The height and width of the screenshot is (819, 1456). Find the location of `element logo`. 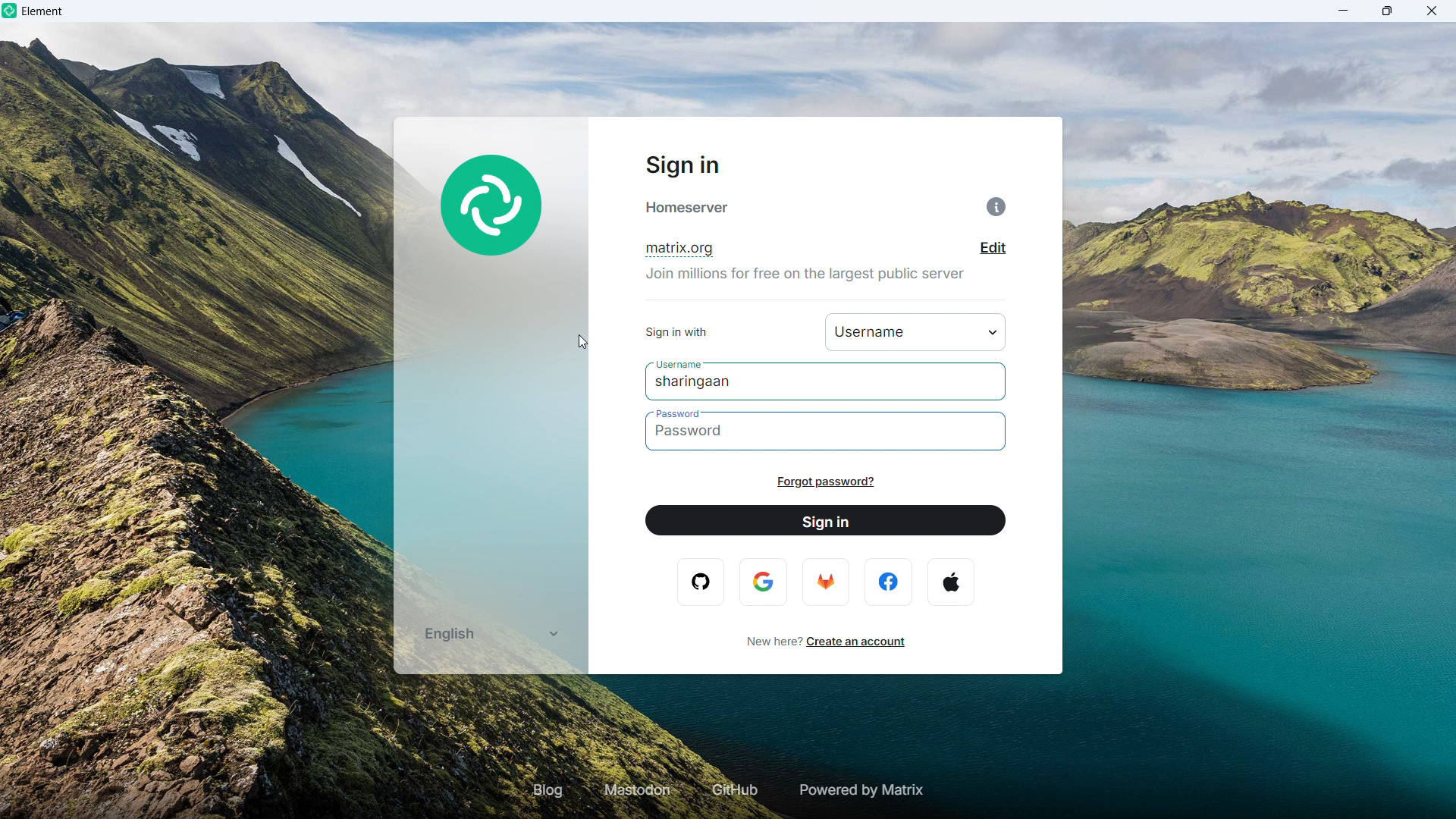

element logo is located at coordinates (11, 11).